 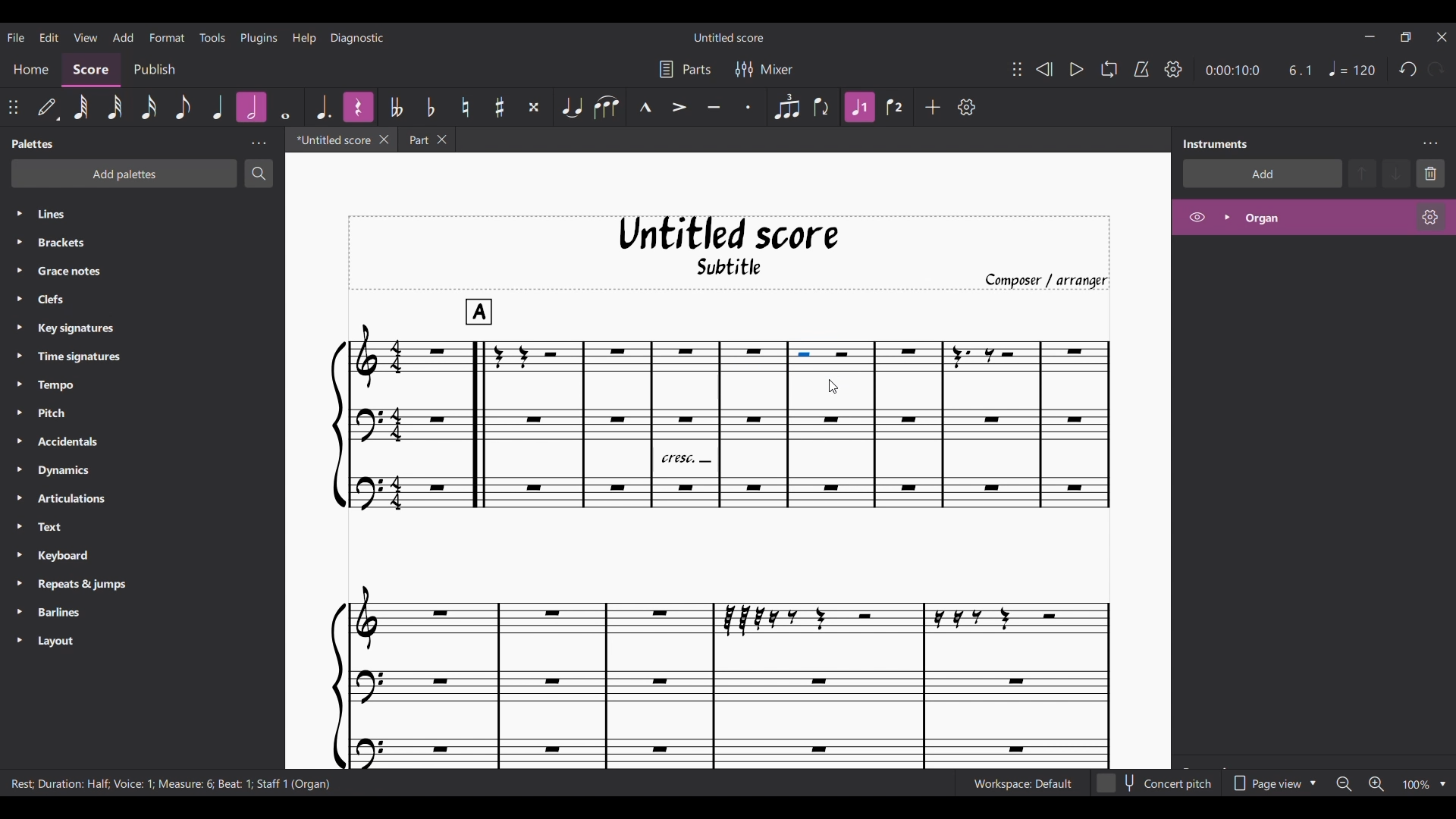 I want to click on Toggle sharp, so click(x=500, y=108).